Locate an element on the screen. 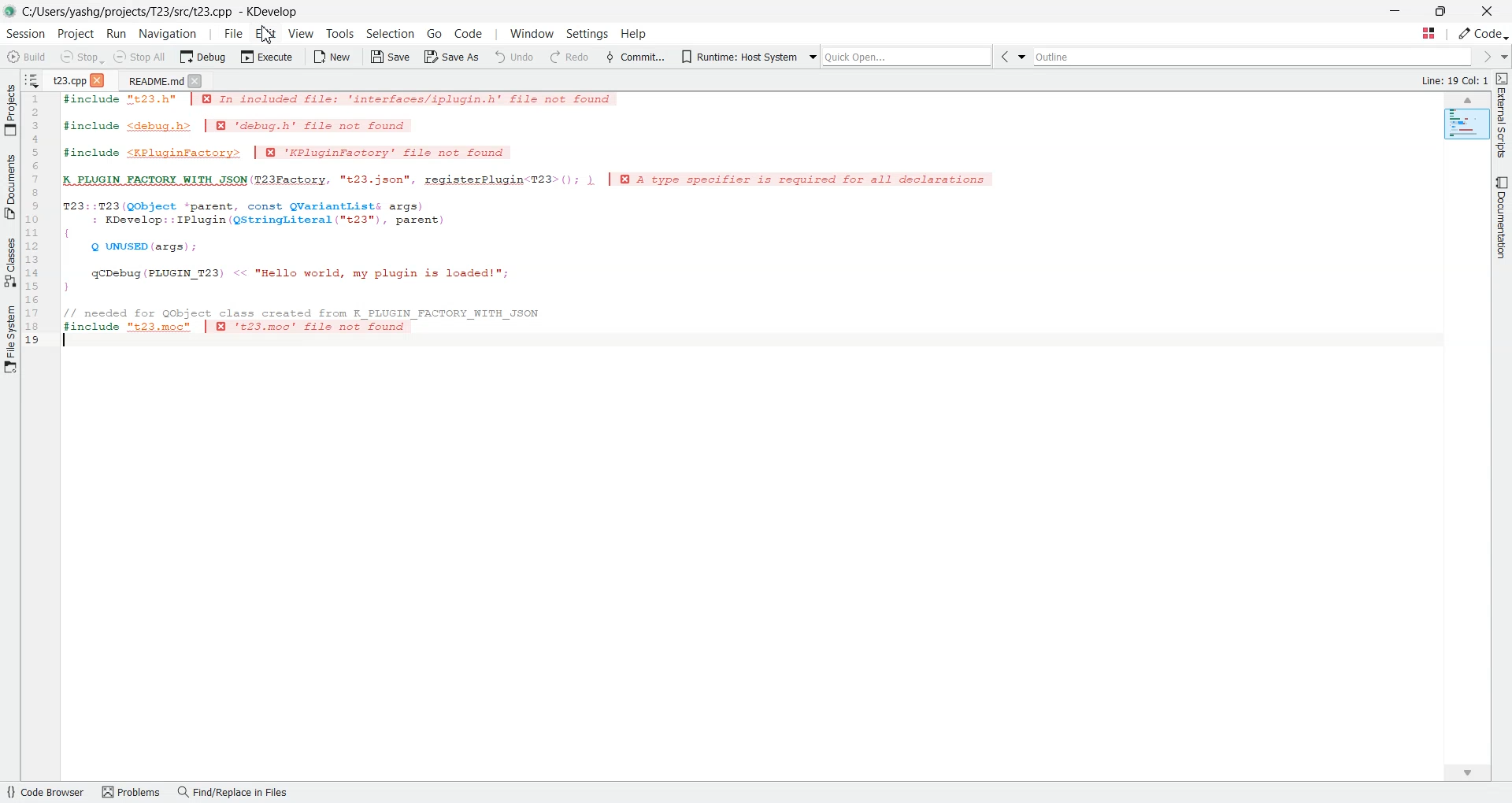 The height and width of the screenshot is (803, 1512). Runtime : Host System is located at coordinates (736, 55).